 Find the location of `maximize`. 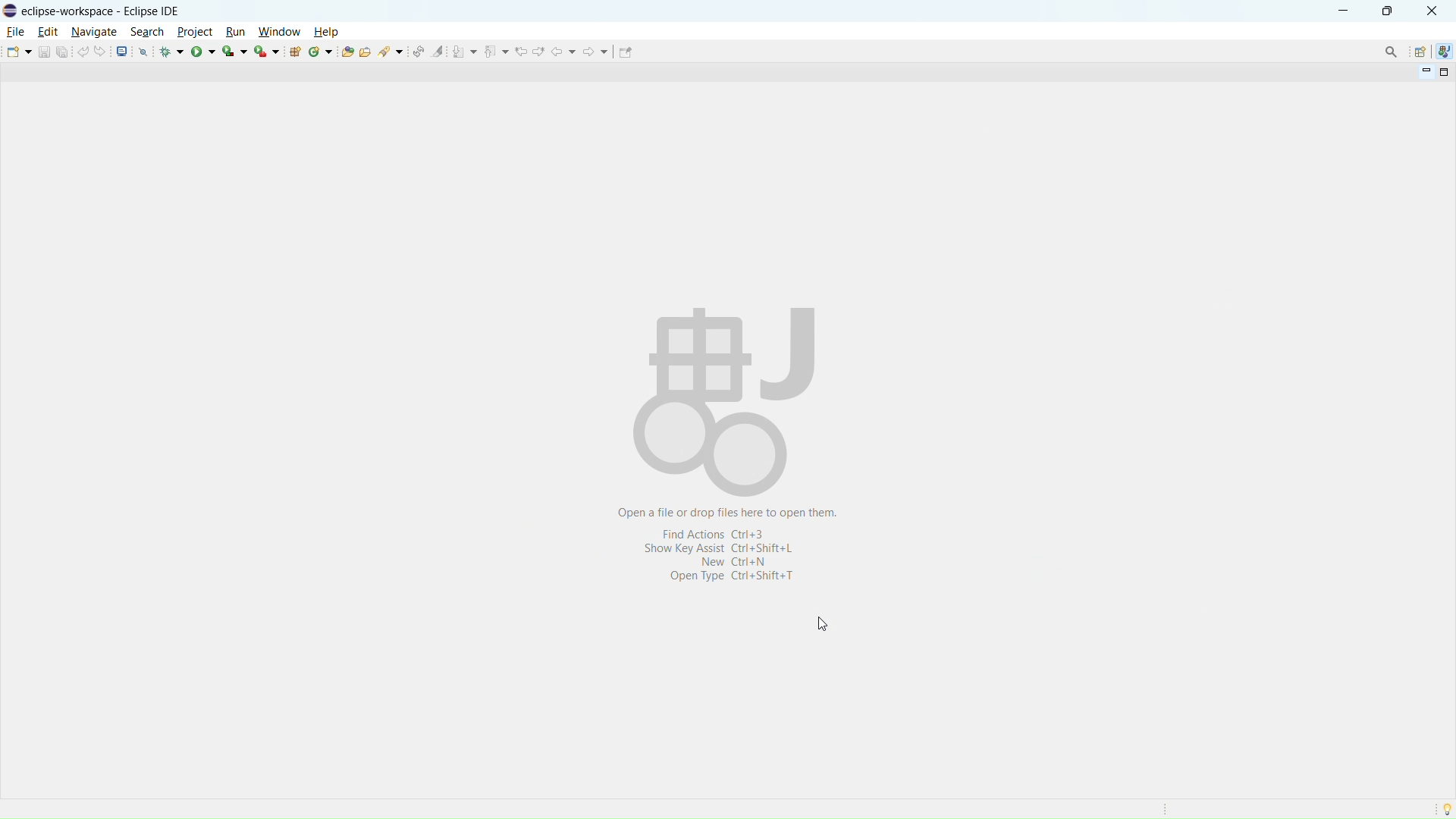

maximize is located at coordinates (1387, 11).